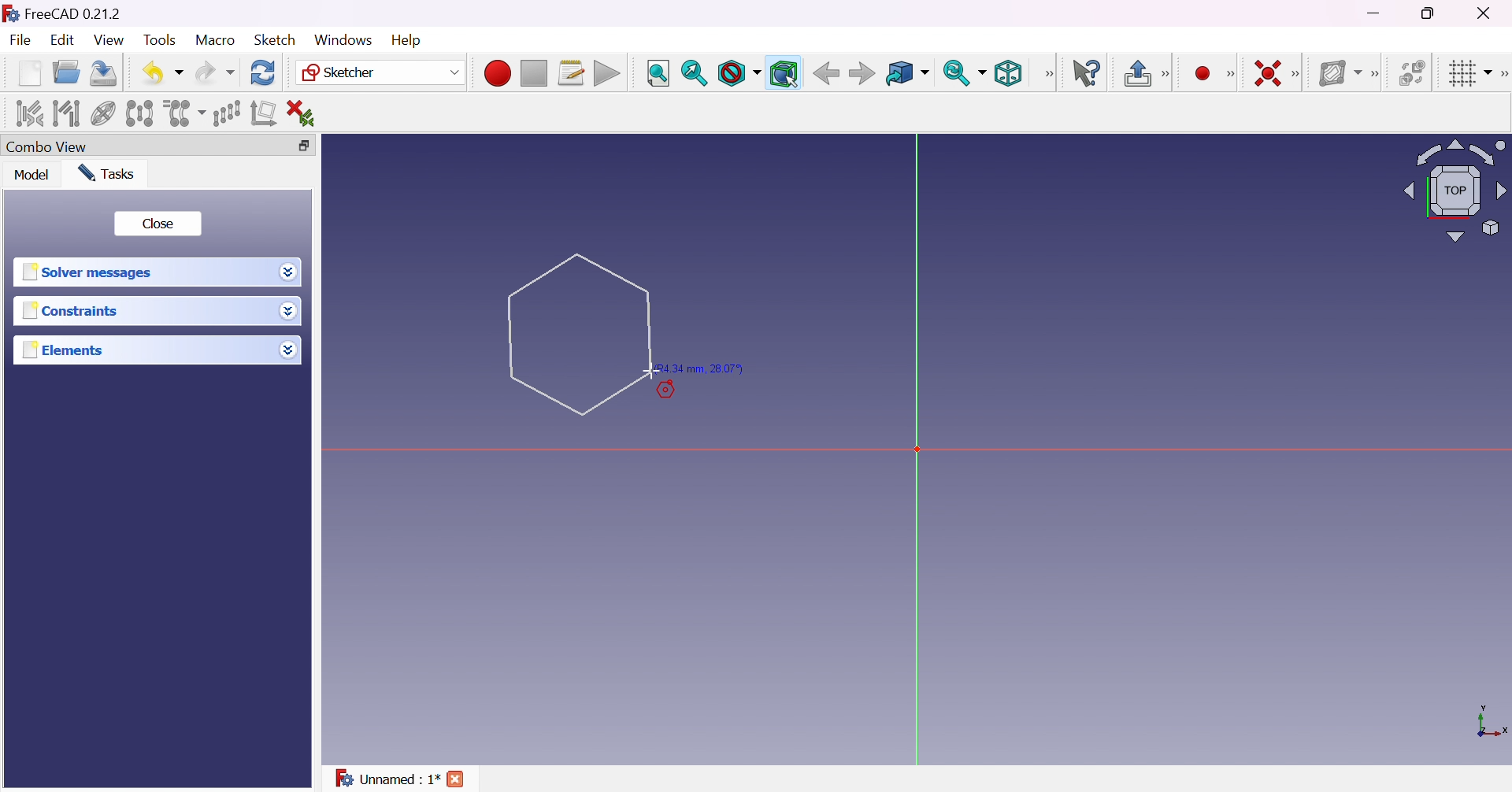 The image size is (1512, 792). What do you see at coordinates (1489, 724) in the screenshot?
I see `x, y axis` at bounding box center [1489, 724].